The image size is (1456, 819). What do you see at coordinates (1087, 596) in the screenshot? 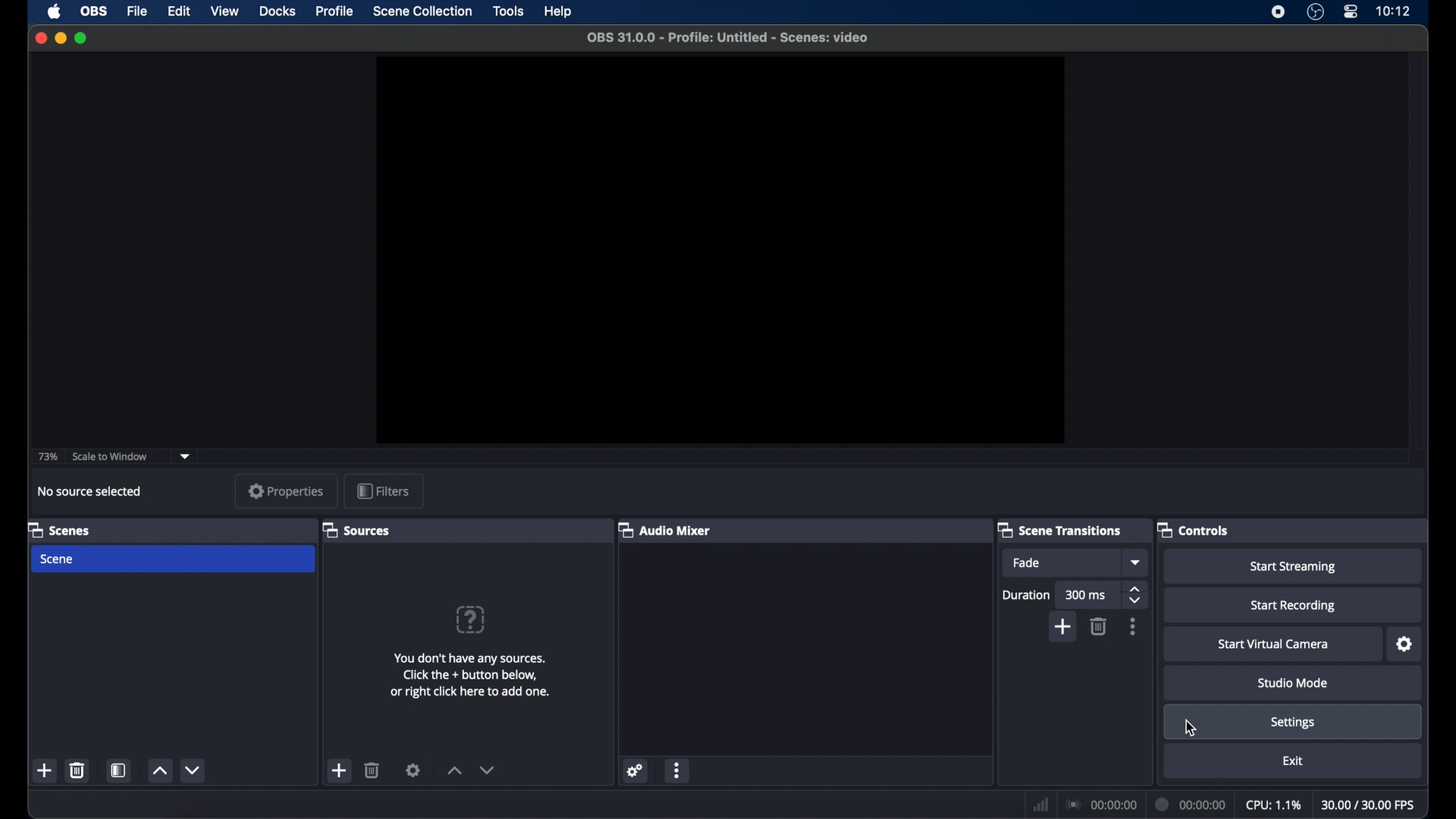
I see `300 ms` at bounding box center [1087, 596].